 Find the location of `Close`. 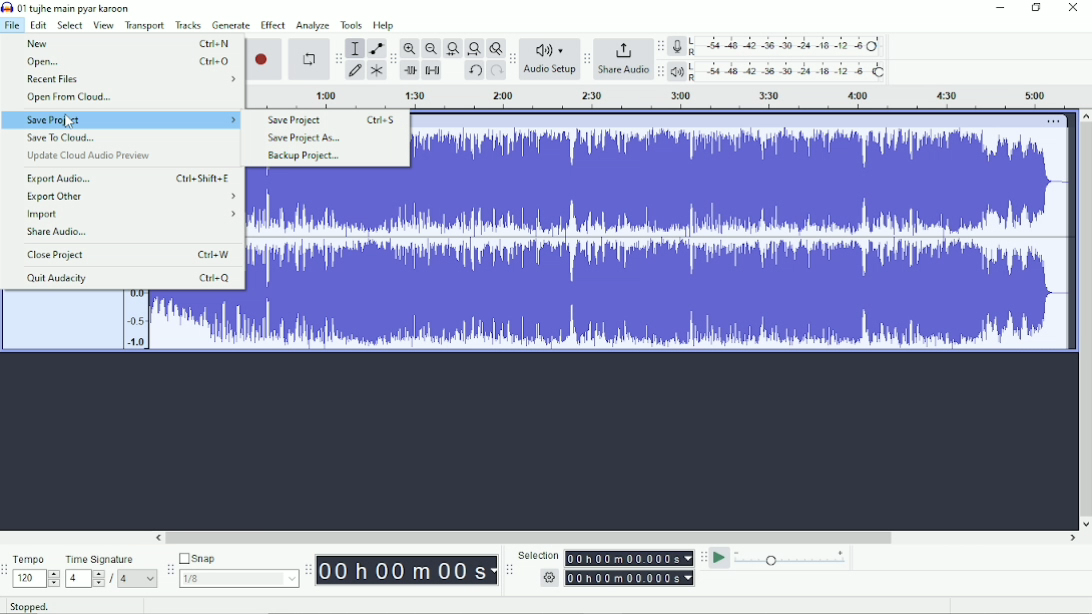

Close is located at coordinates (1073, 9).